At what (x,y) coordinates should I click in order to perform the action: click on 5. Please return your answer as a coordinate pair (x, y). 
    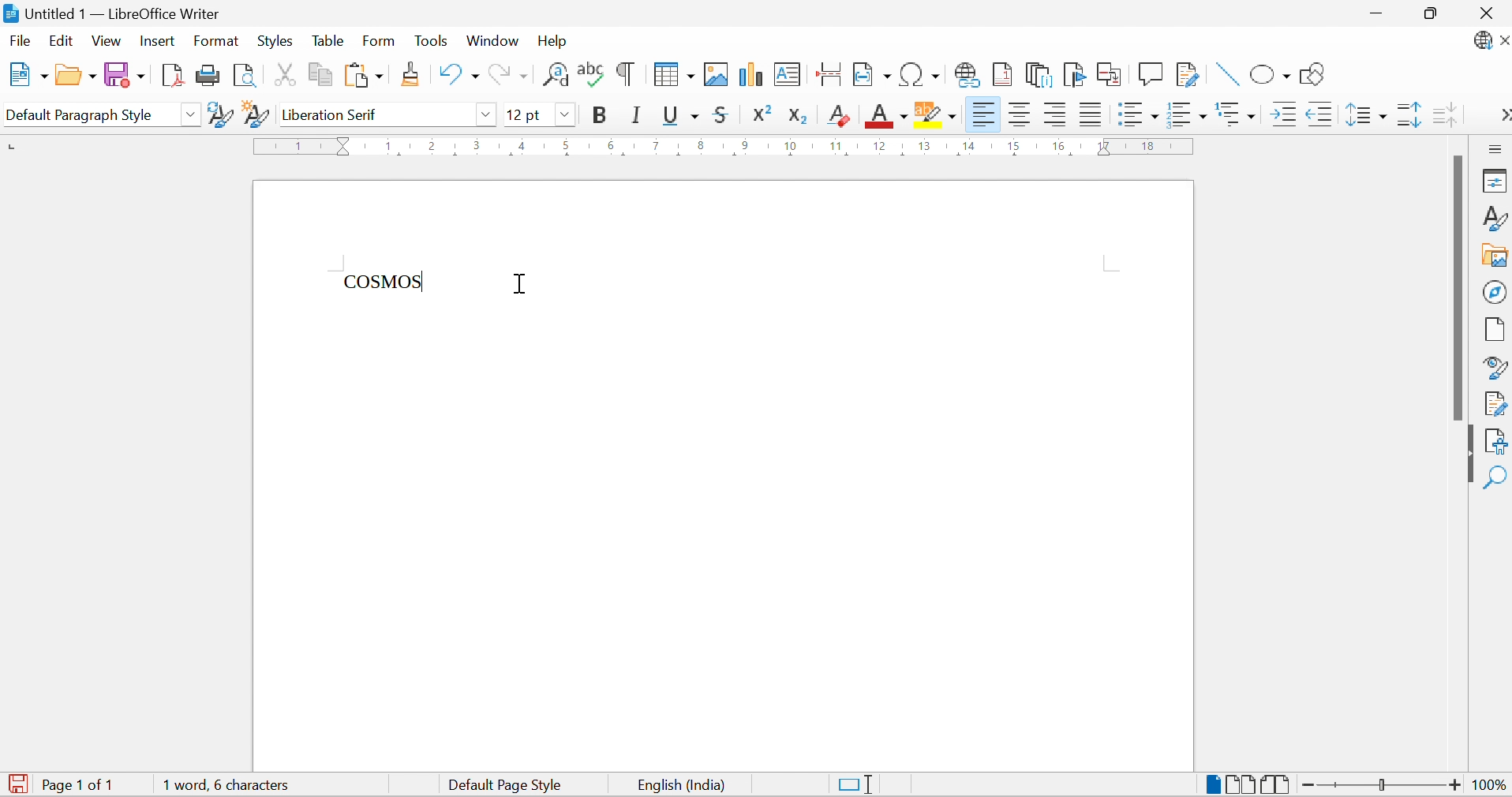
    Looking at the image, I should click on (566, 146).